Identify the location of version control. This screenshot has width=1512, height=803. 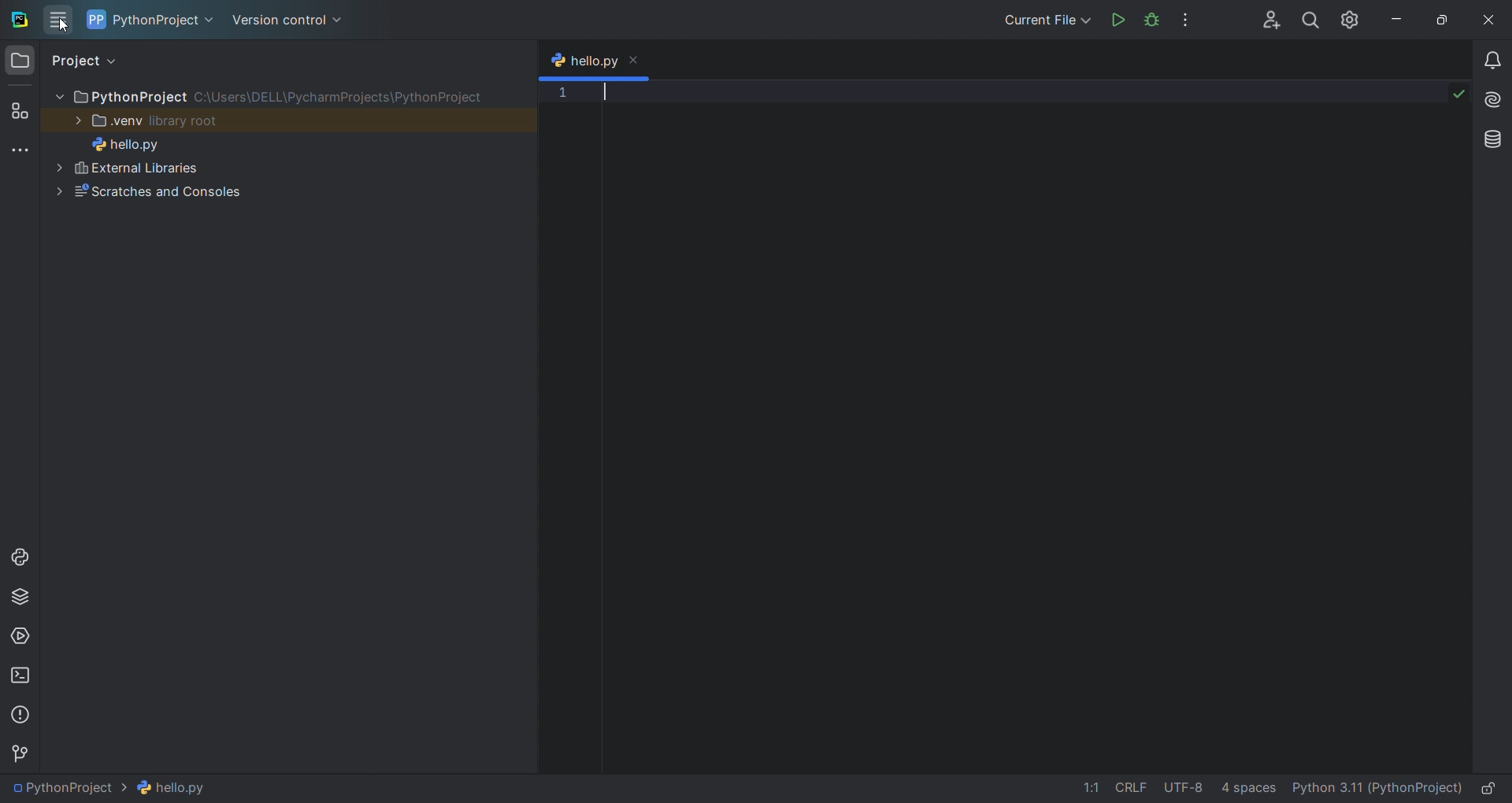
(27, 757).